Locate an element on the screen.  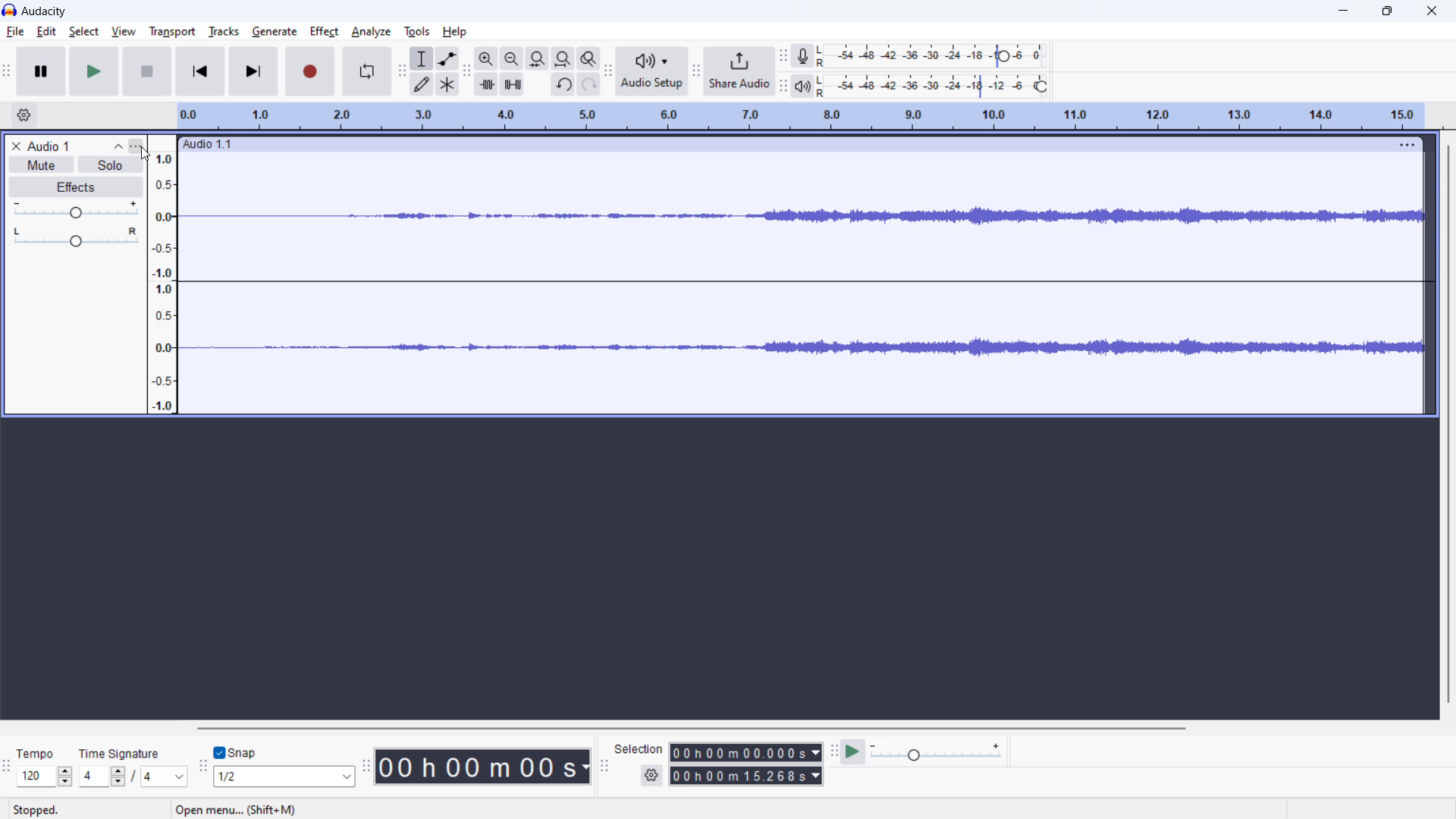
collapse is located at coordinates (118, 146).